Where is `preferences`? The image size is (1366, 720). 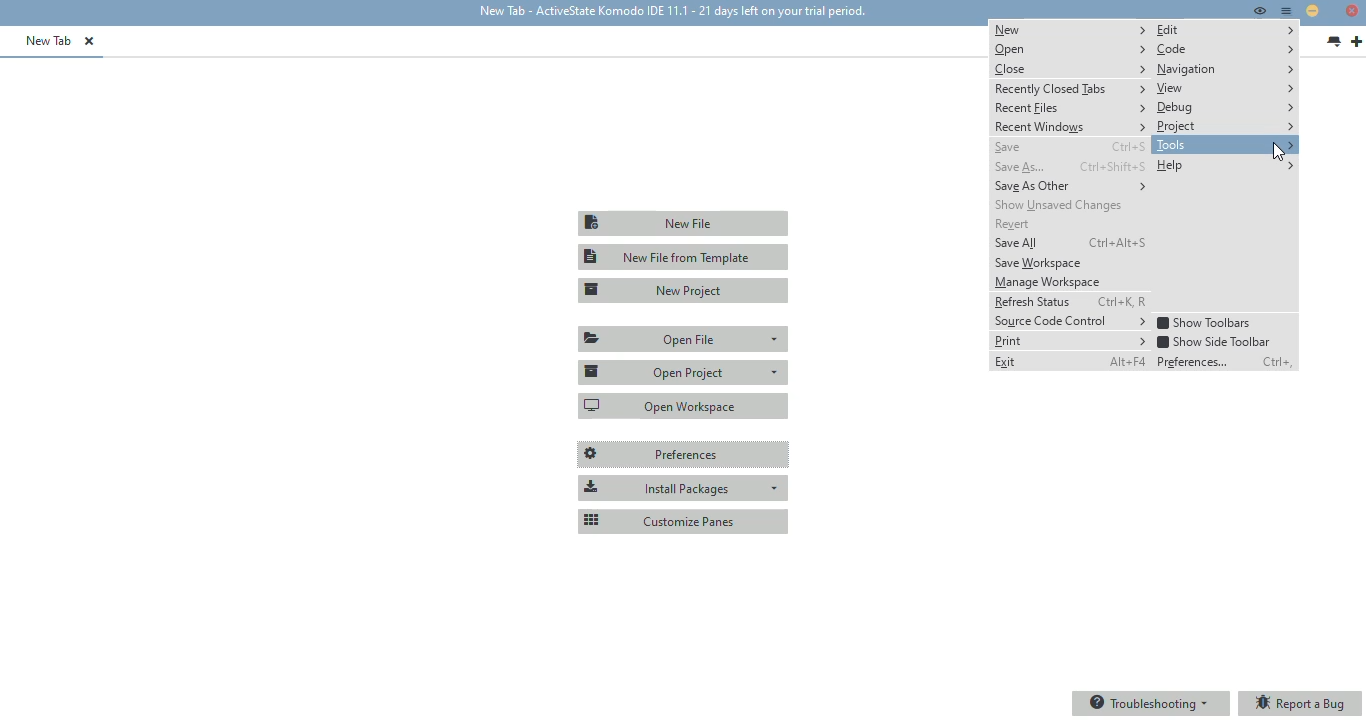 preferences is located at coordinates (1196, 361).